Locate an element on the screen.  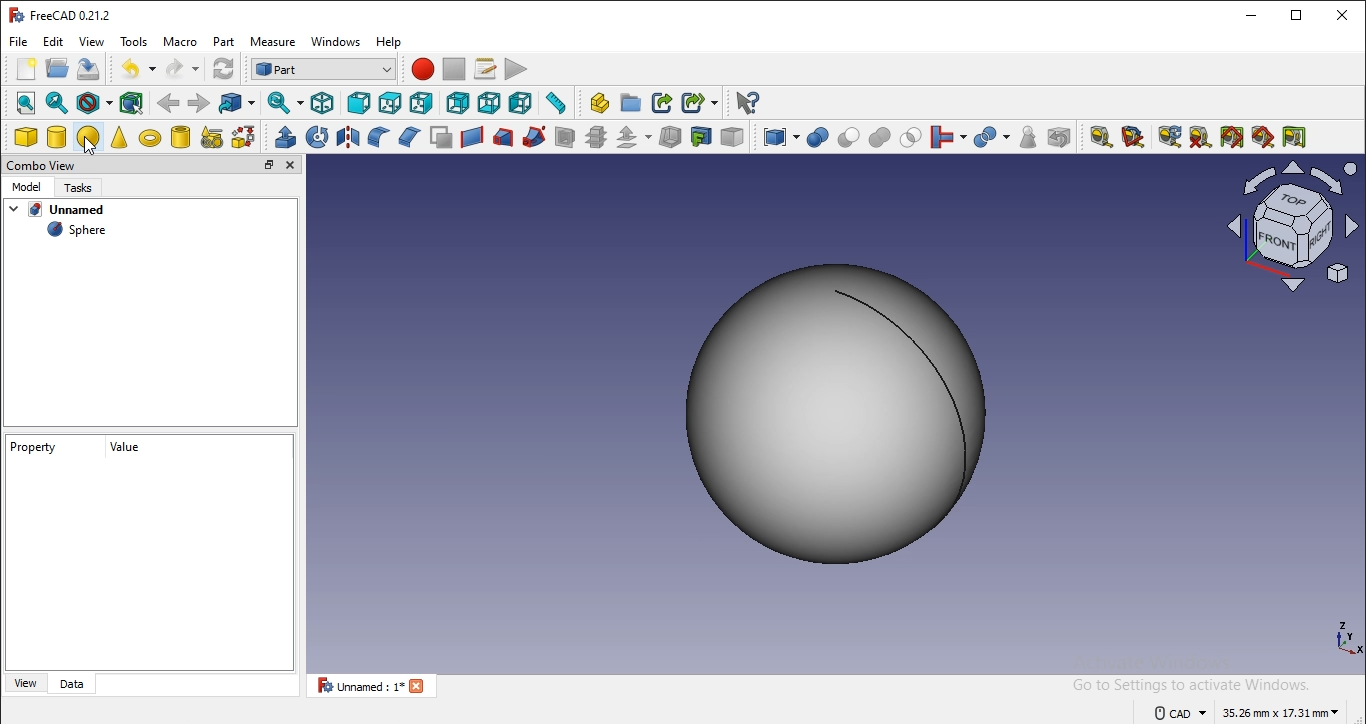
save is located at coordinates (90, 68).